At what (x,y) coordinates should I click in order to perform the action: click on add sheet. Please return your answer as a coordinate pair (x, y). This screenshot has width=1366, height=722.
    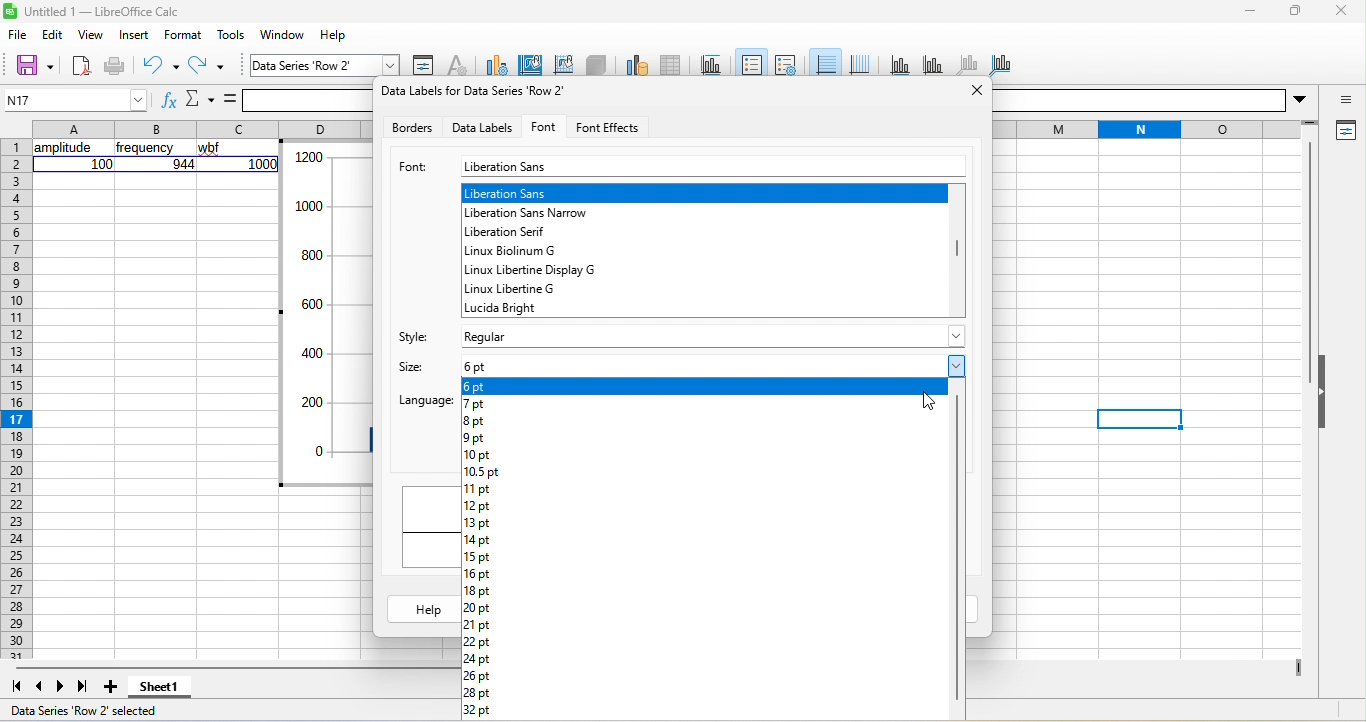
    Looking at the image, I should click on (113, 690).